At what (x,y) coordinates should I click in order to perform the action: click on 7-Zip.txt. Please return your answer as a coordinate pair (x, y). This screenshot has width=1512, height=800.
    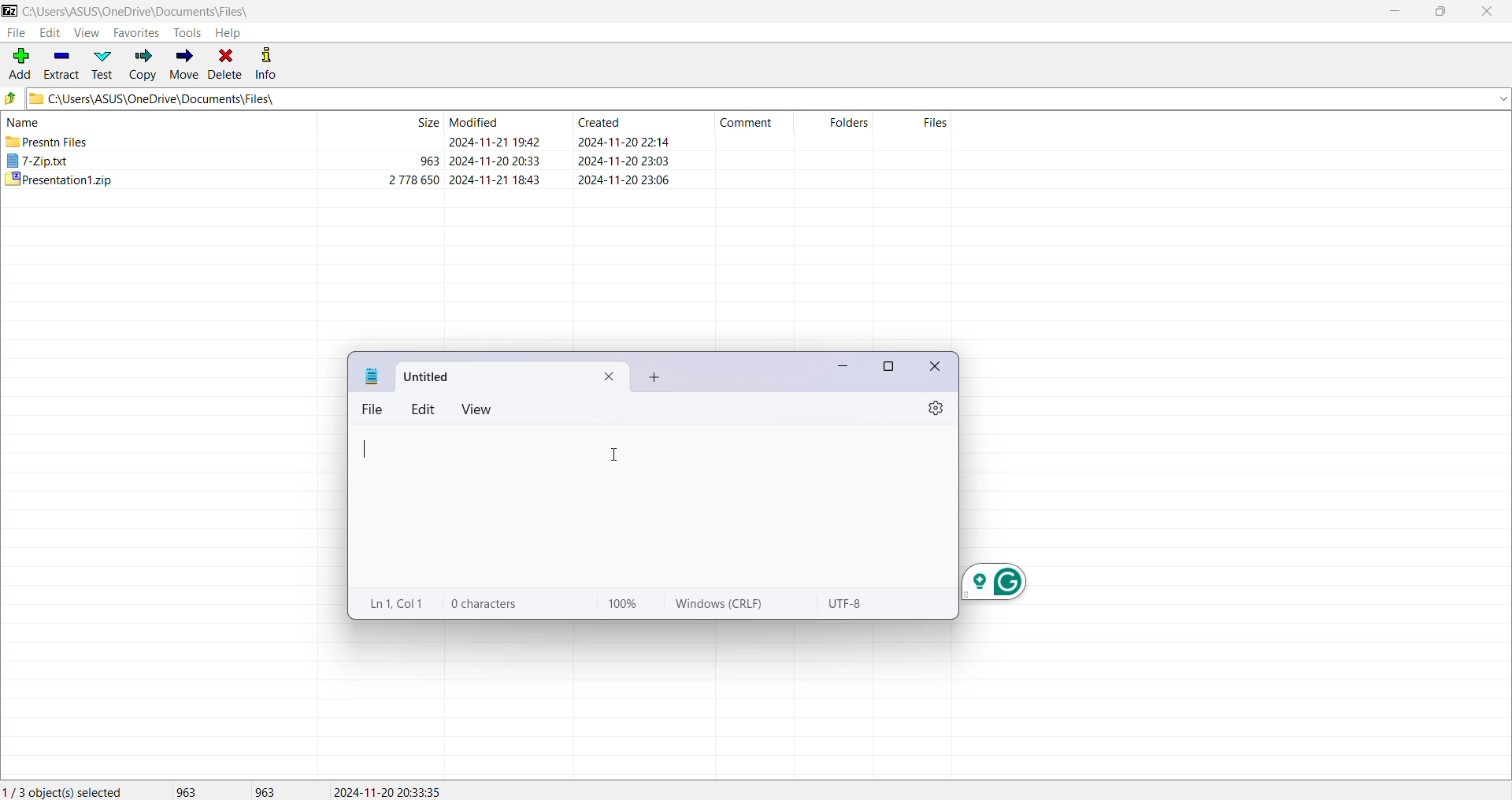
    Looking at the image, I should click on (37, 159).